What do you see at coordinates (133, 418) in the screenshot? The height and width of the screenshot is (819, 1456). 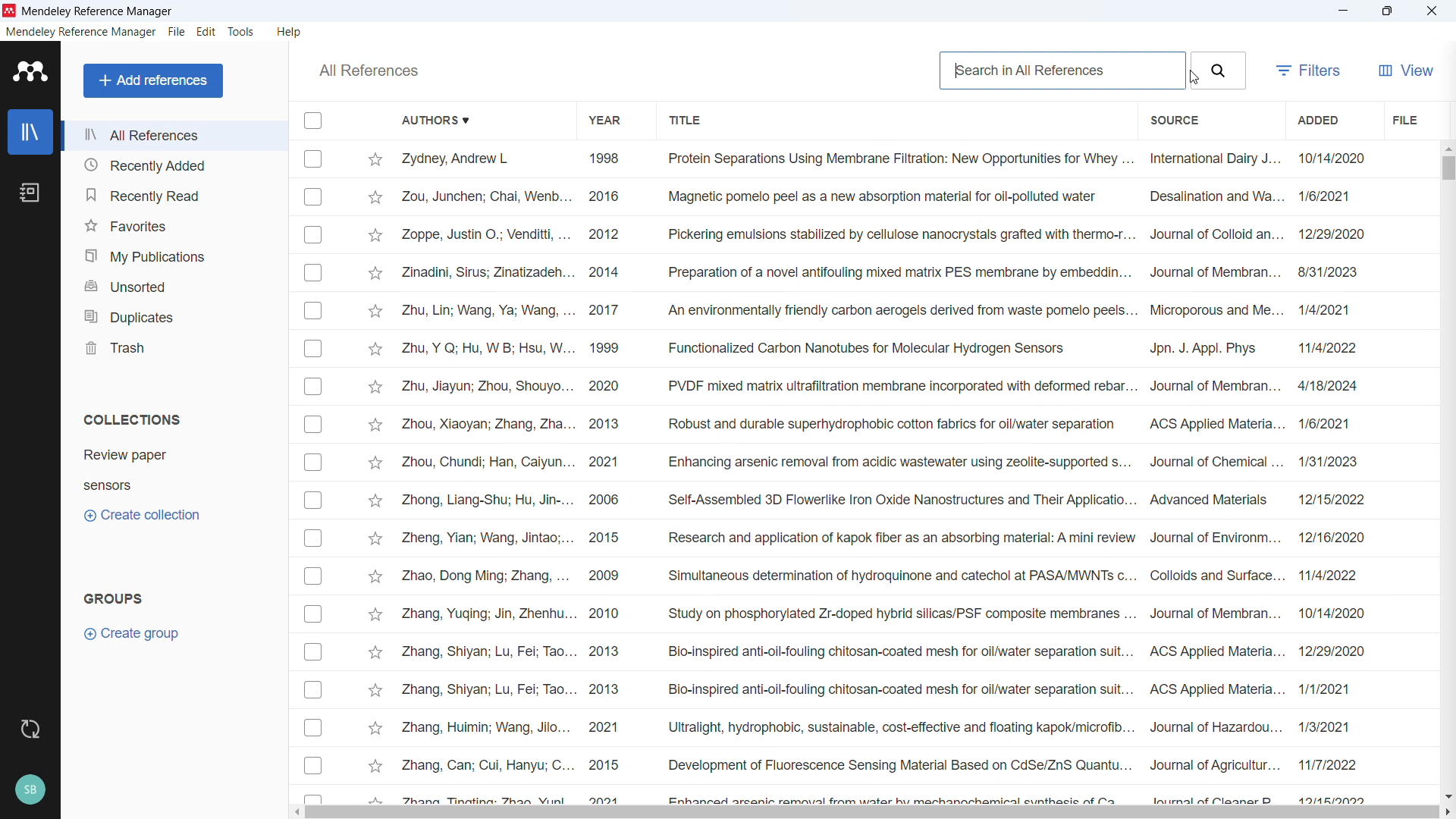 I see `Collections ` at bounding box center [133, 418].